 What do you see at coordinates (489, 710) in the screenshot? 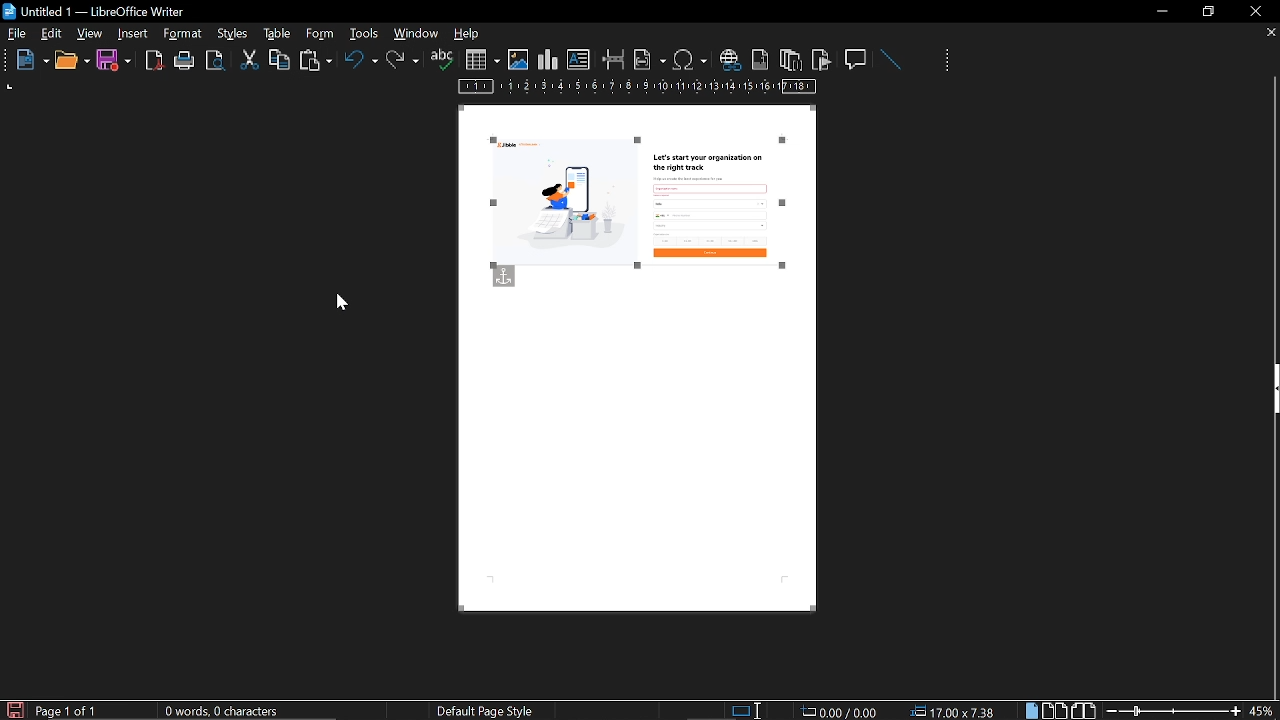
I see `page style` at bounding box center [489, 710].